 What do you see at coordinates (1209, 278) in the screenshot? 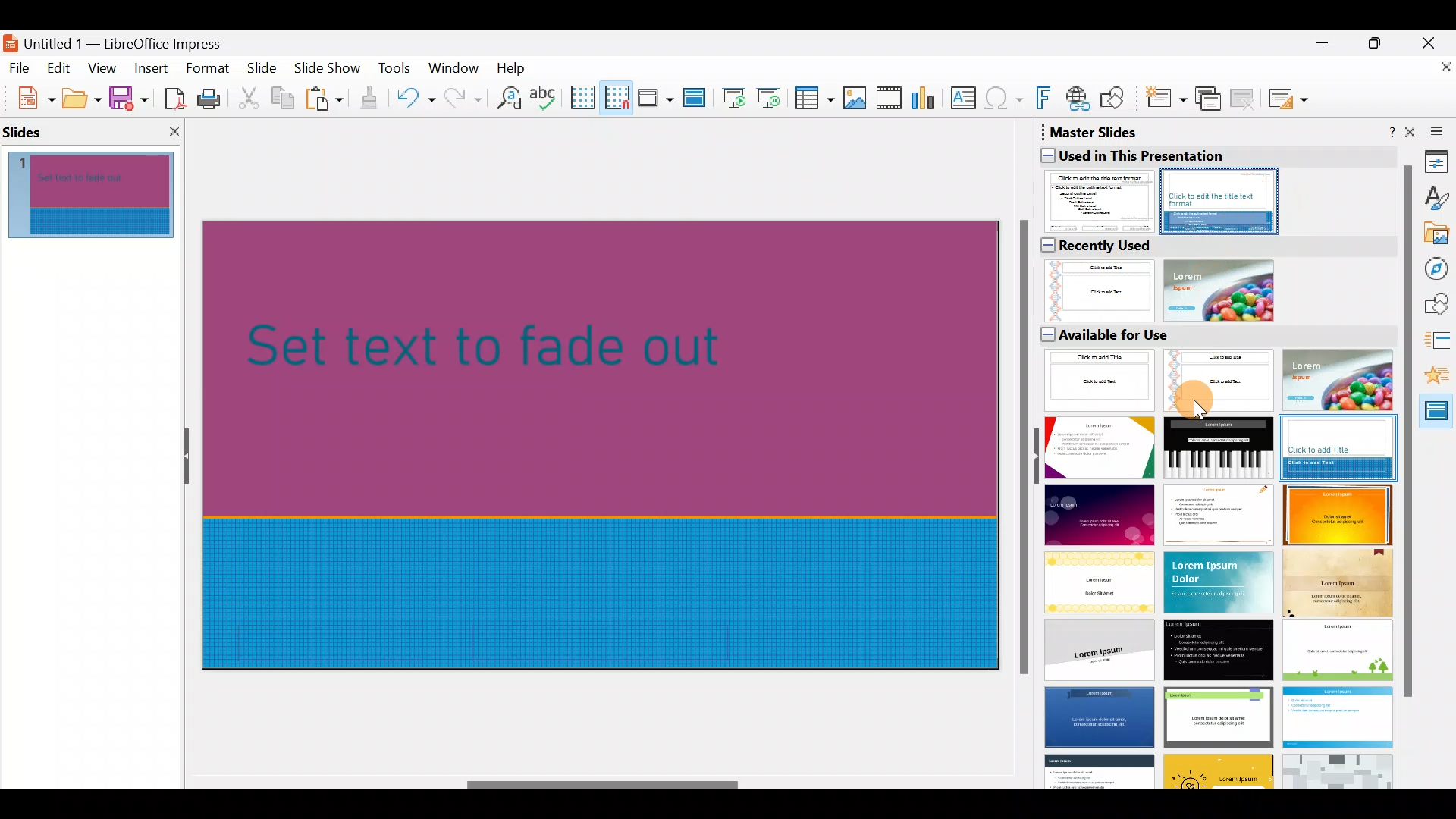
I see `Recently used` at bounding box center [1209, 278].